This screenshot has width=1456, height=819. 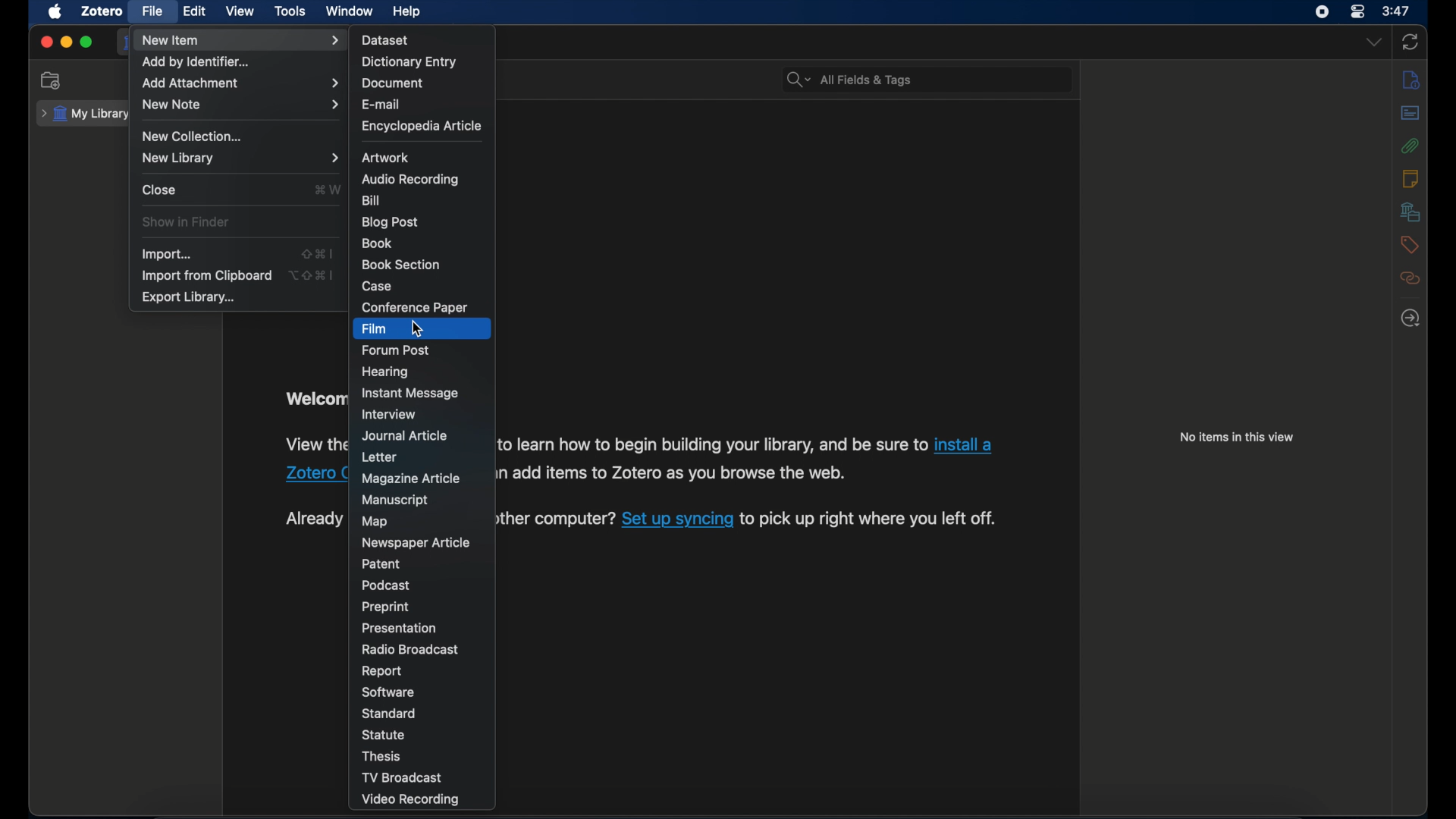 What do you see at coordinates (240, 83) in the screenshot?
I see `add attachment` at bounding box center [240, 83].